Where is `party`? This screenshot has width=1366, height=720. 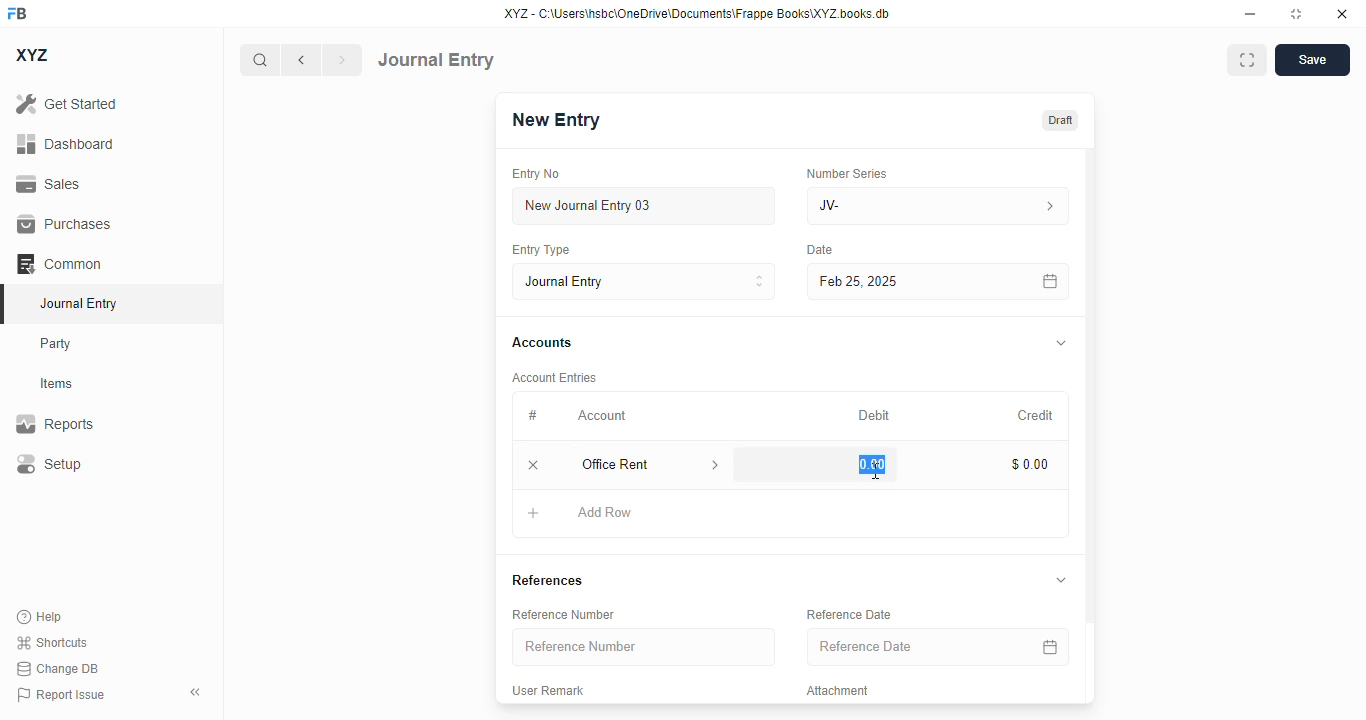 party is located at coordinates (56, 344).